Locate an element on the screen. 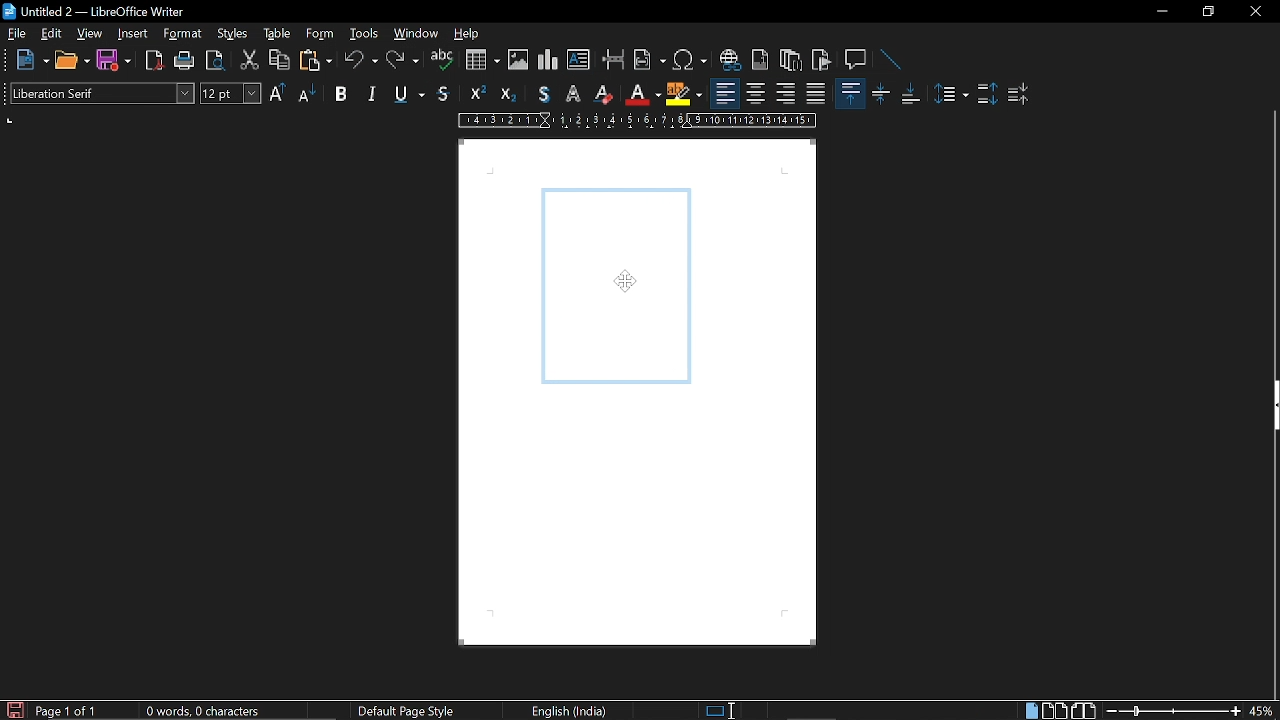 The width and height of the screenshot is (1280, 720). close is located at coordinates (1254, 13).